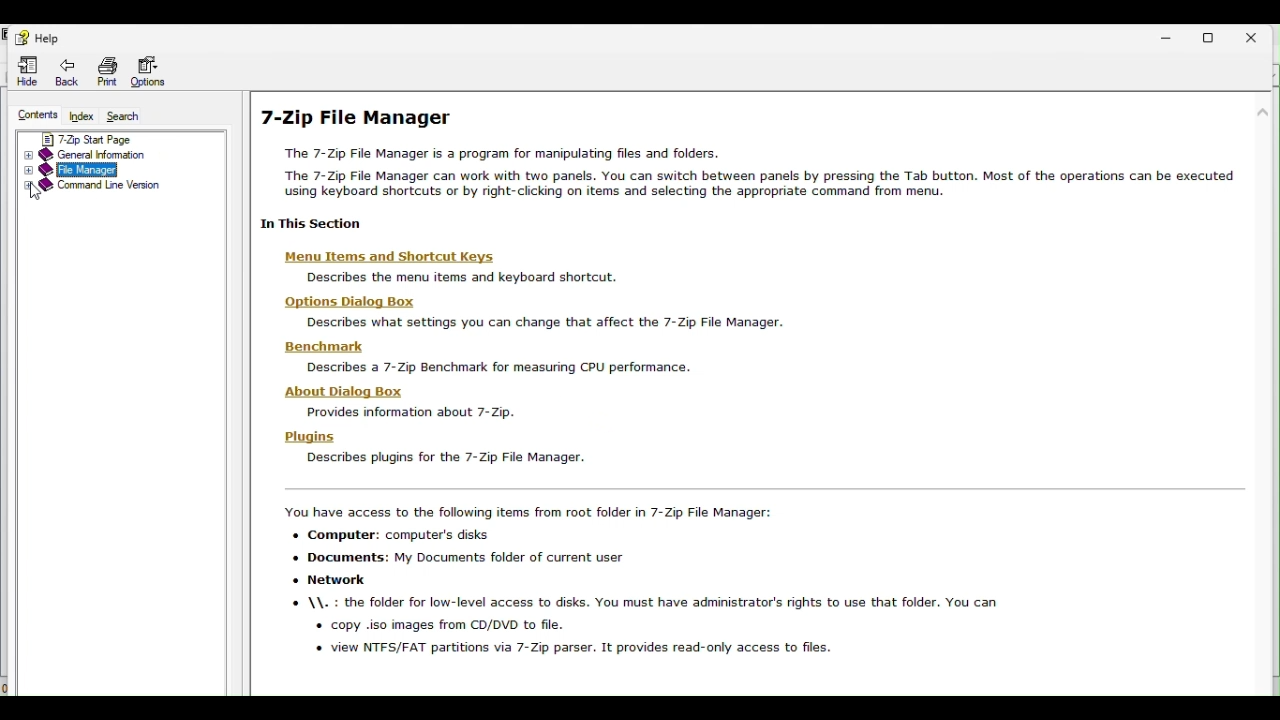 Image resolution: width=1280 pixels, height=720 pixels. I want to click on Minimise, so click(1174, 38).